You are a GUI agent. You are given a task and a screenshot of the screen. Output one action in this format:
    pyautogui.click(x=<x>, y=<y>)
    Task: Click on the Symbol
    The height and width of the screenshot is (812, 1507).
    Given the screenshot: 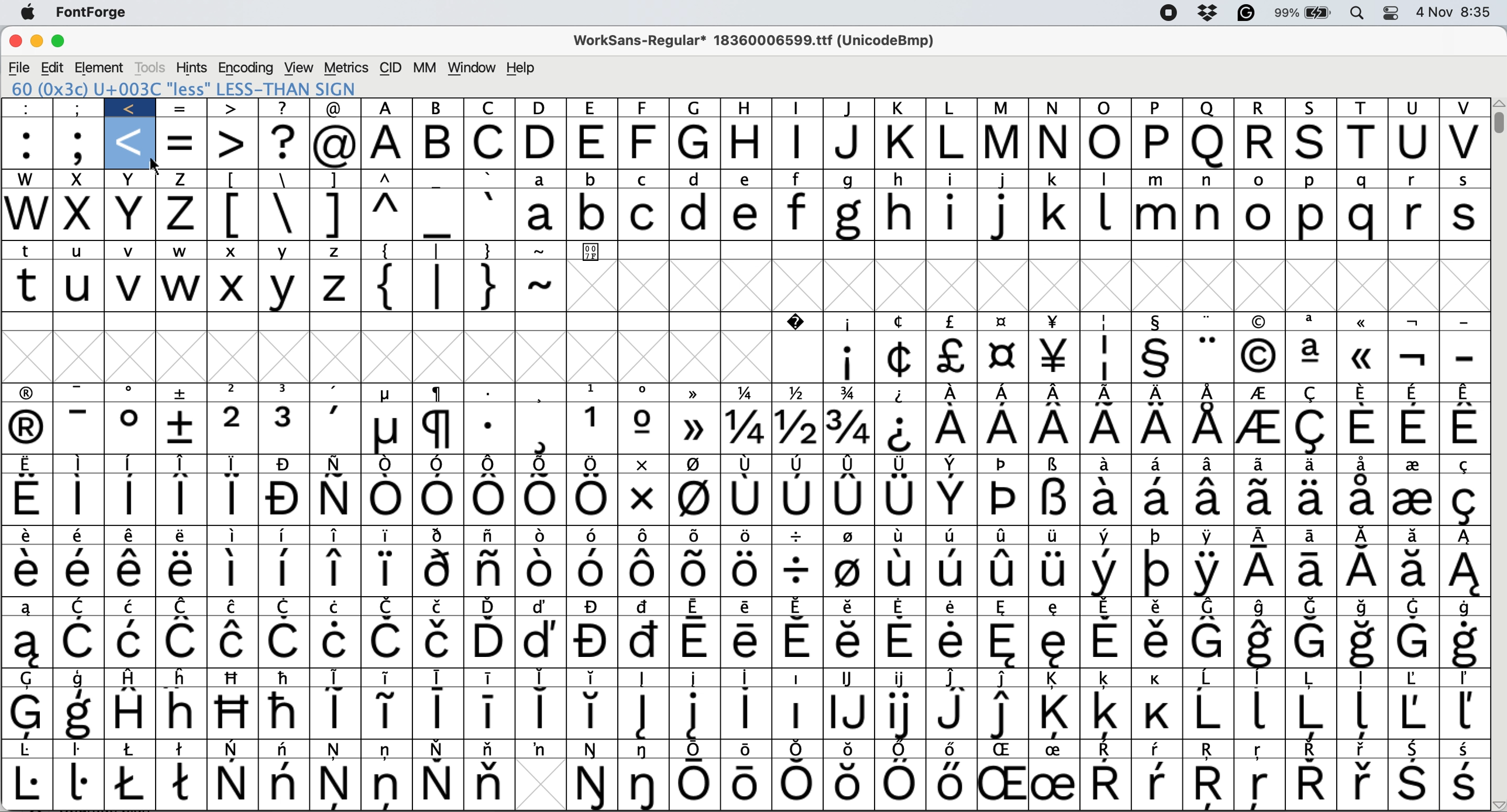 What is the action you would take?
    pyautogui.click(x=285, y=569)
    